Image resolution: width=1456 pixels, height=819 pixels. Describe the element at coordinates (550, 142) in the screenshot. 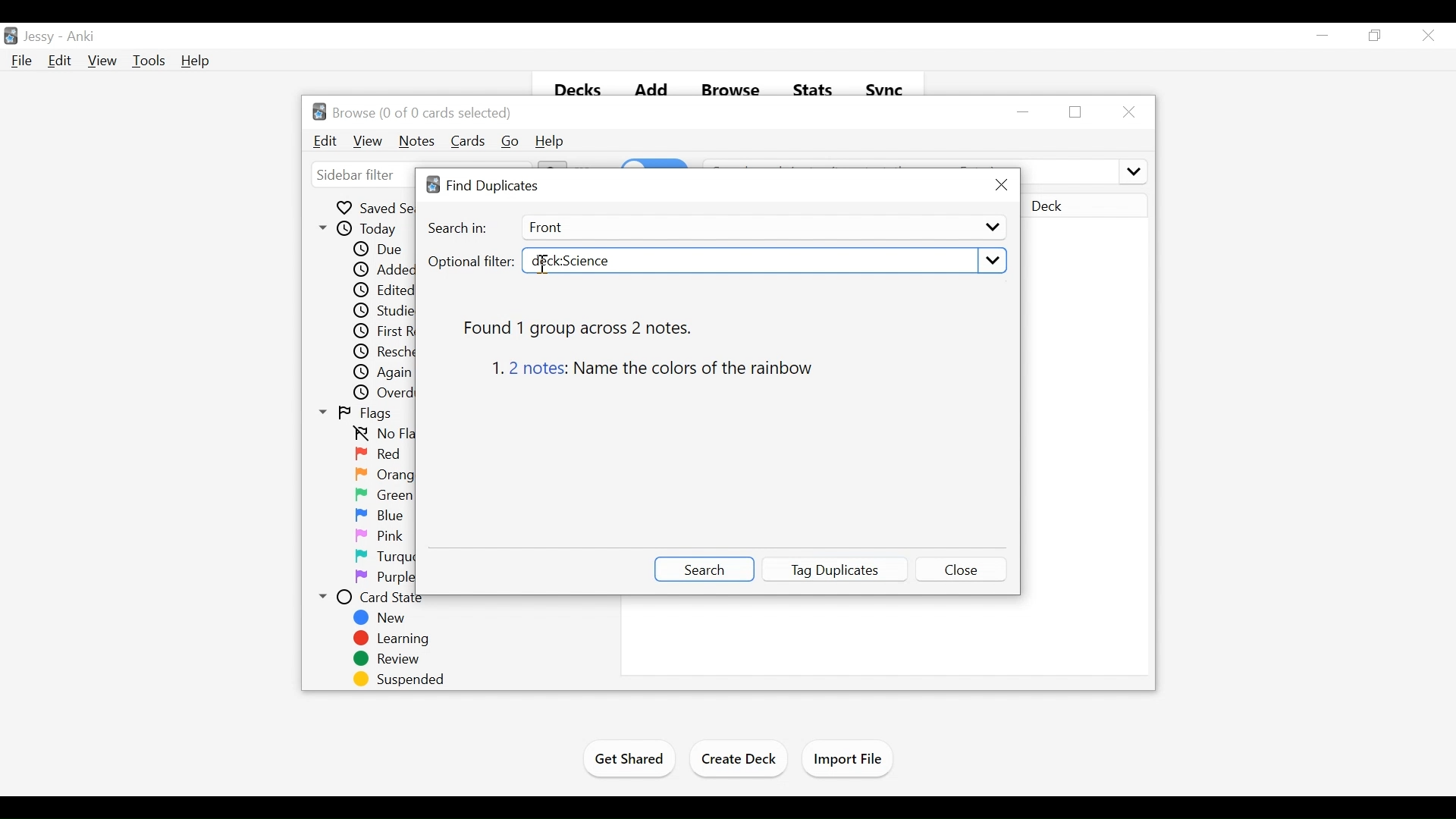

I see `Help` at that location.